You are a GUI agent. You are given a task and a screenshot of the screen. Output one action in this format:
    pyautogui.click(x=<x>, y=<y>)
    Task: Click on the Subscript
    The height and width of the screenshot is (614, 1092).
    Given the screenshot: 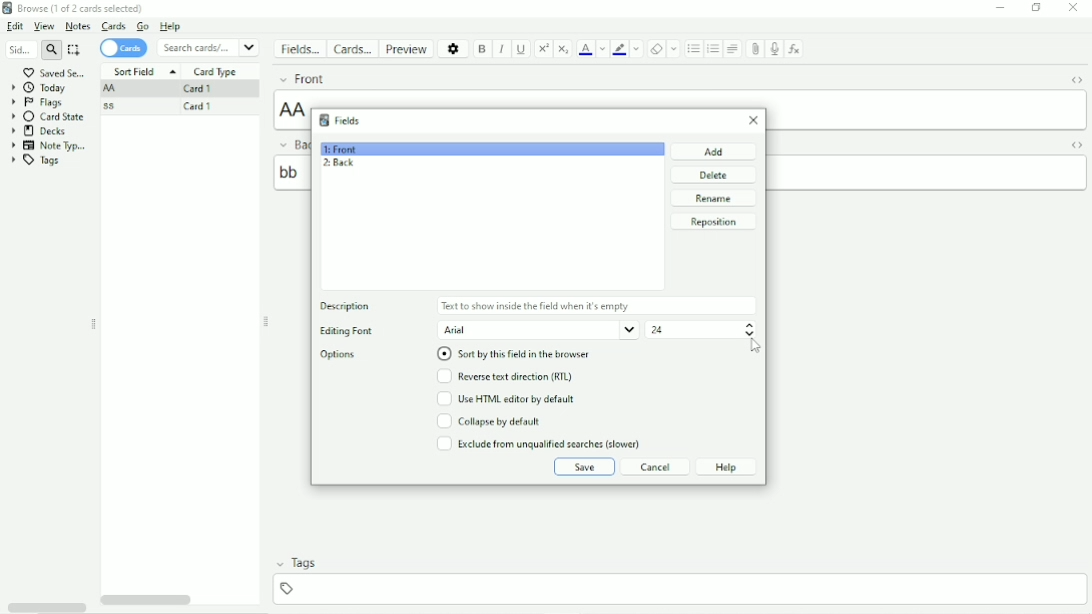 What is the action you would take?
    pyautogui.click(x=564, y=48)
    